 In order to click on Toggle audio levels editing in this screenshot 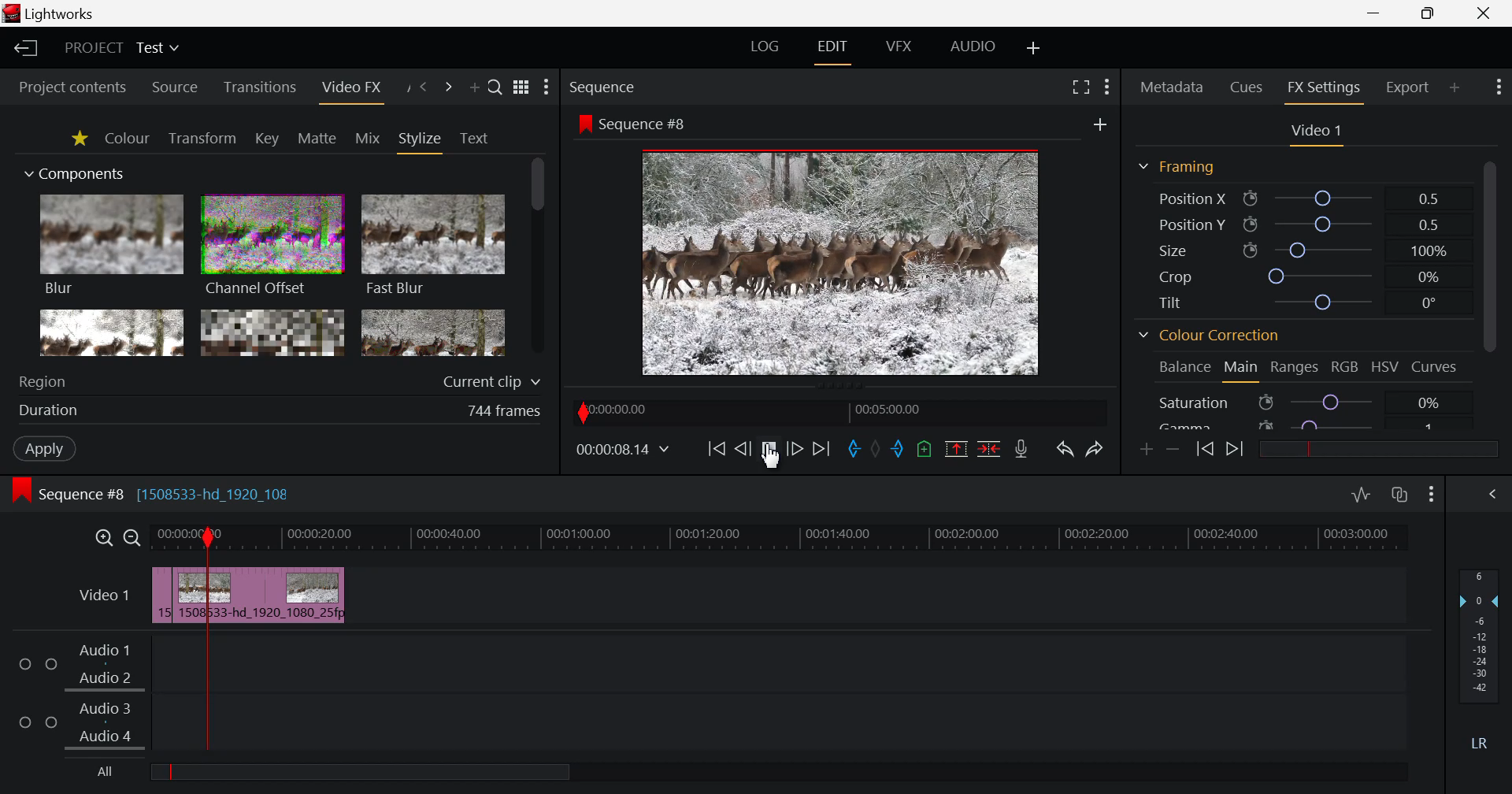, I will do `click(1361, 495)`.